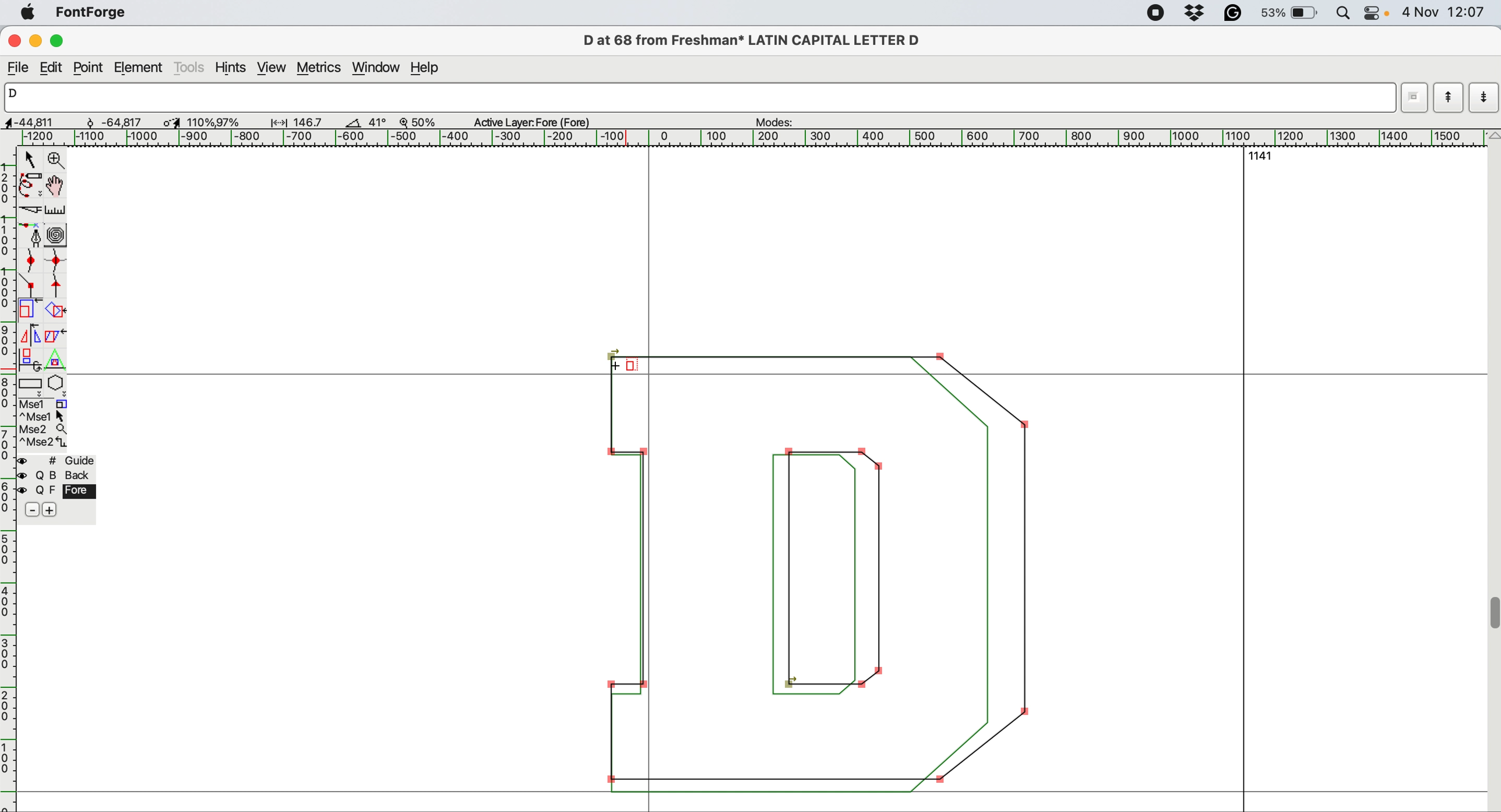 The height and width of the screenshot is (812, 1501). Describe the element at coordinates (55, 336) in the screenshot. I see `skew the selection` at that location.